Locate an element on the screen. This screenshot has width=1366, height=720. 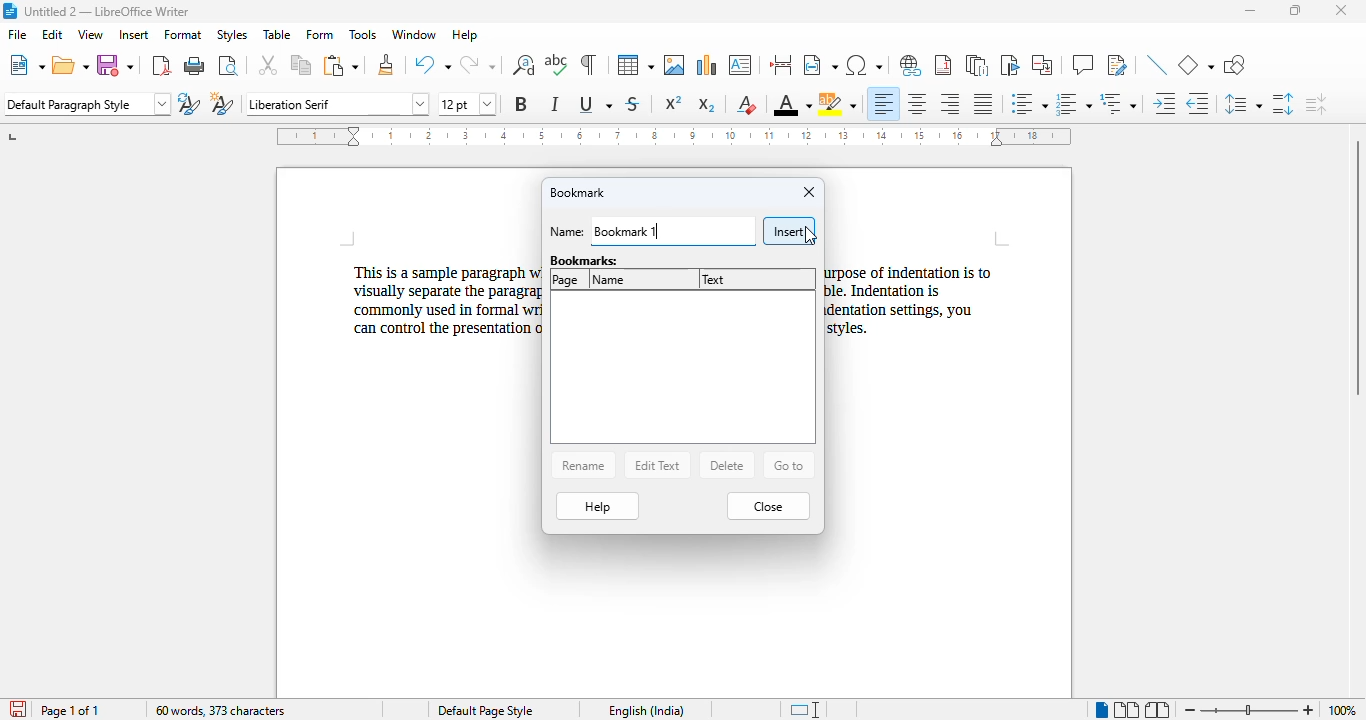
toggle formatting marks is located at coordinates (589, 65).